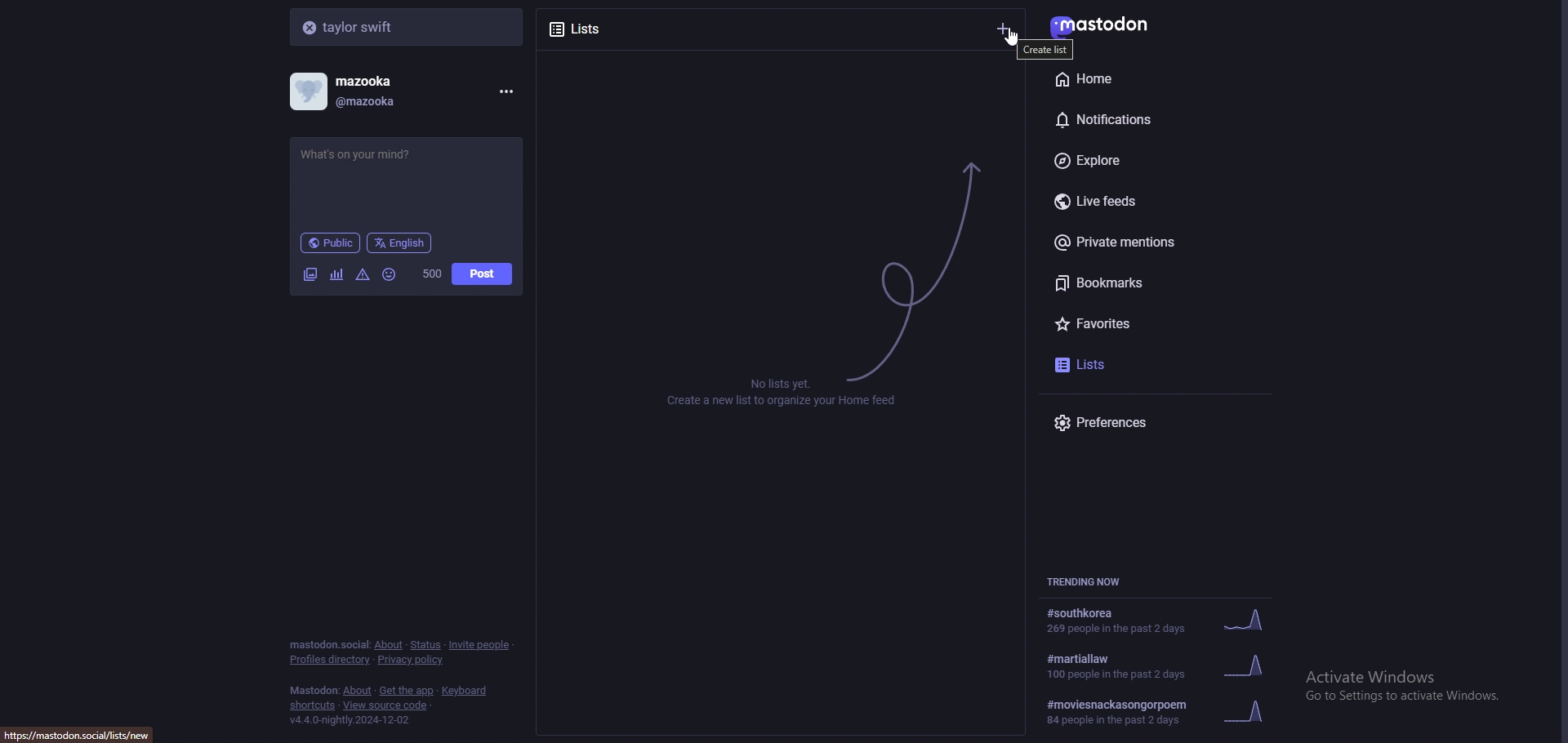 The width and height of the screenshot is (1568, 743). Describe the element at coordinates (314, 691) in the screenshot. I see `mastodon` at that location.